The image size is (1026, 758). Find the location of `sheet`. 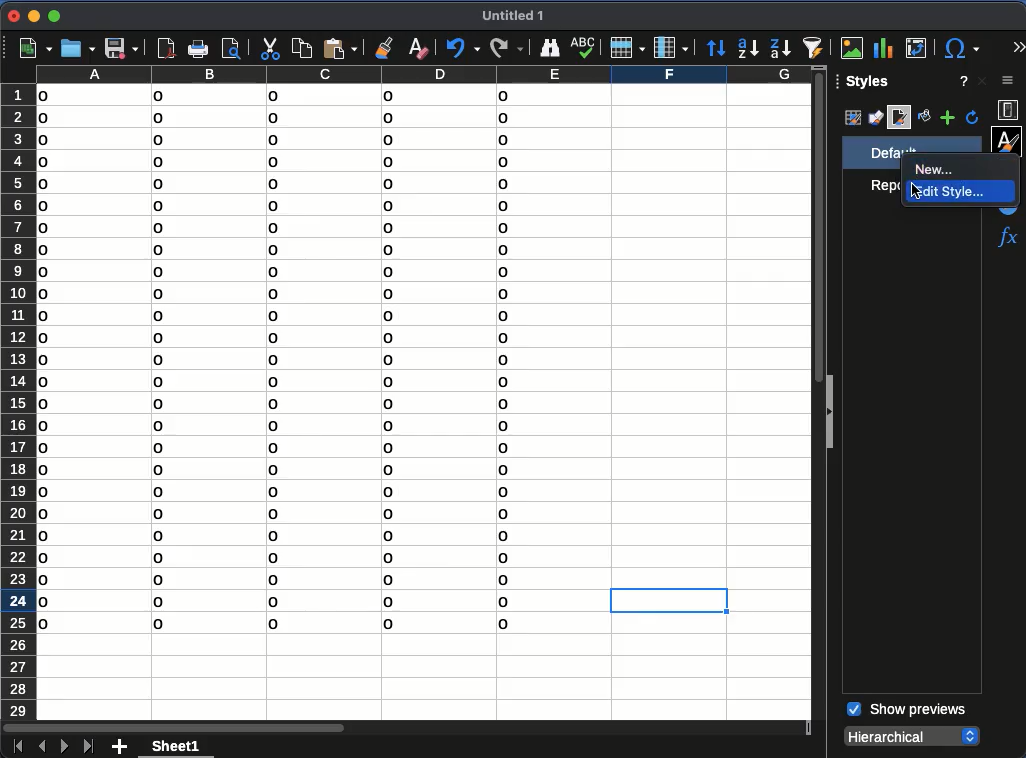

sheet is located at coordinates (178, 745).